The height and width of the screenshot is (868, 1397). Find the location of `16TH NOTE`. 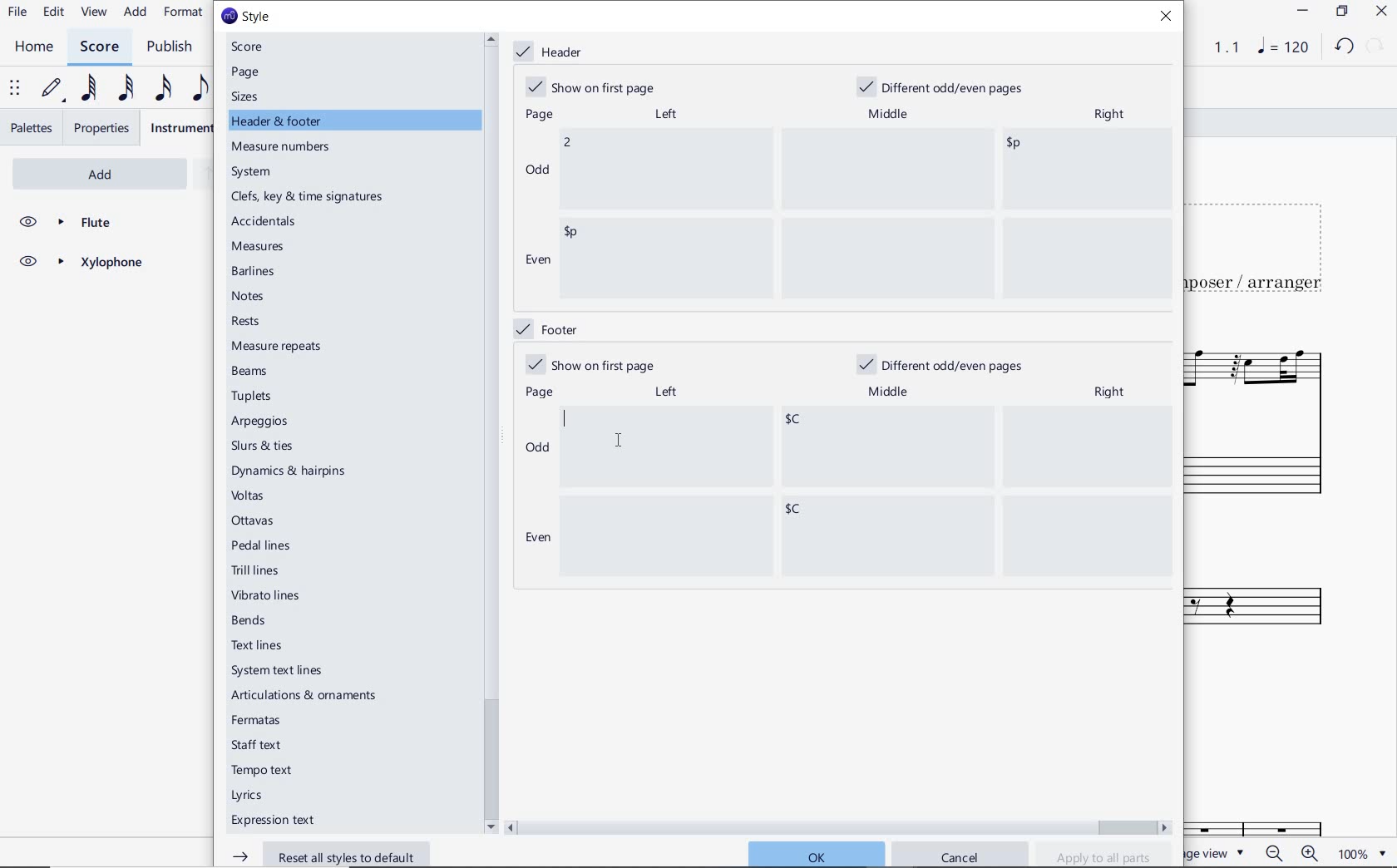

16TH NOTE is located at coordinates (163, 87).